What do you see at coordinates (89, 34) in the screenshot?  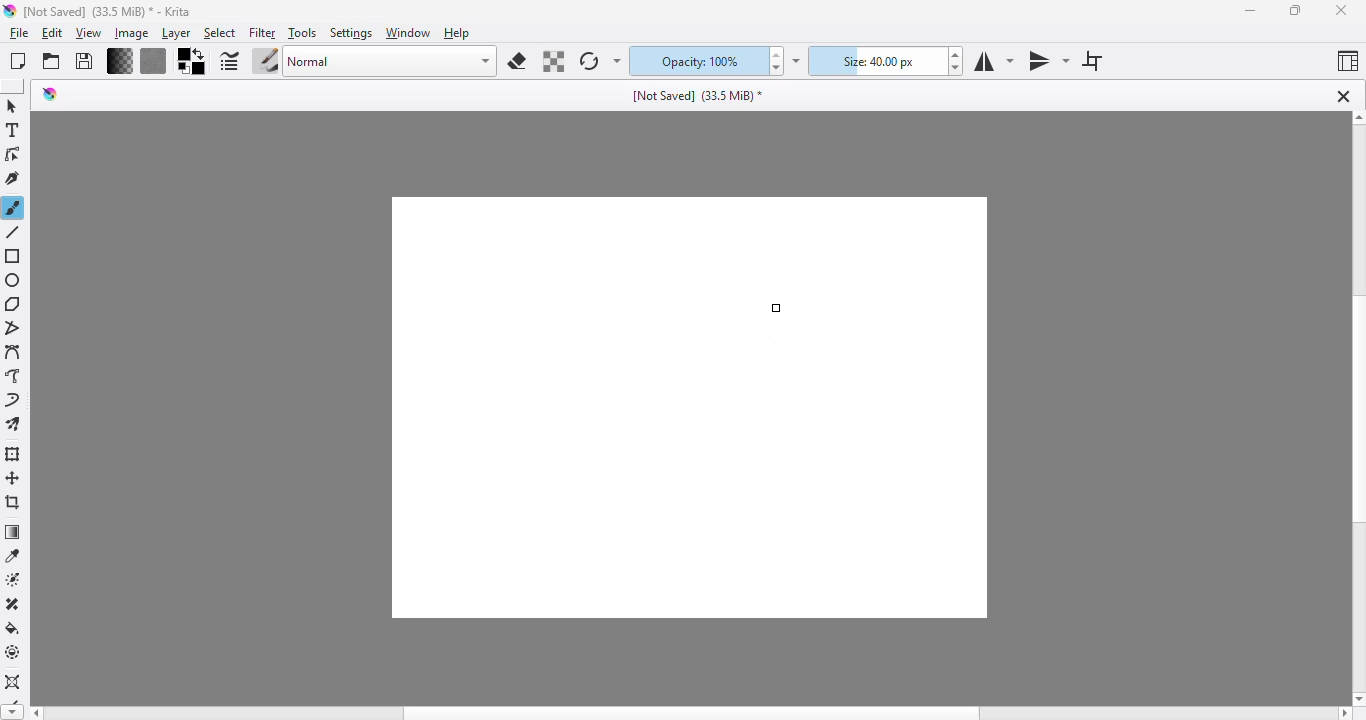 I see `view` at bounding box center [89, 34].